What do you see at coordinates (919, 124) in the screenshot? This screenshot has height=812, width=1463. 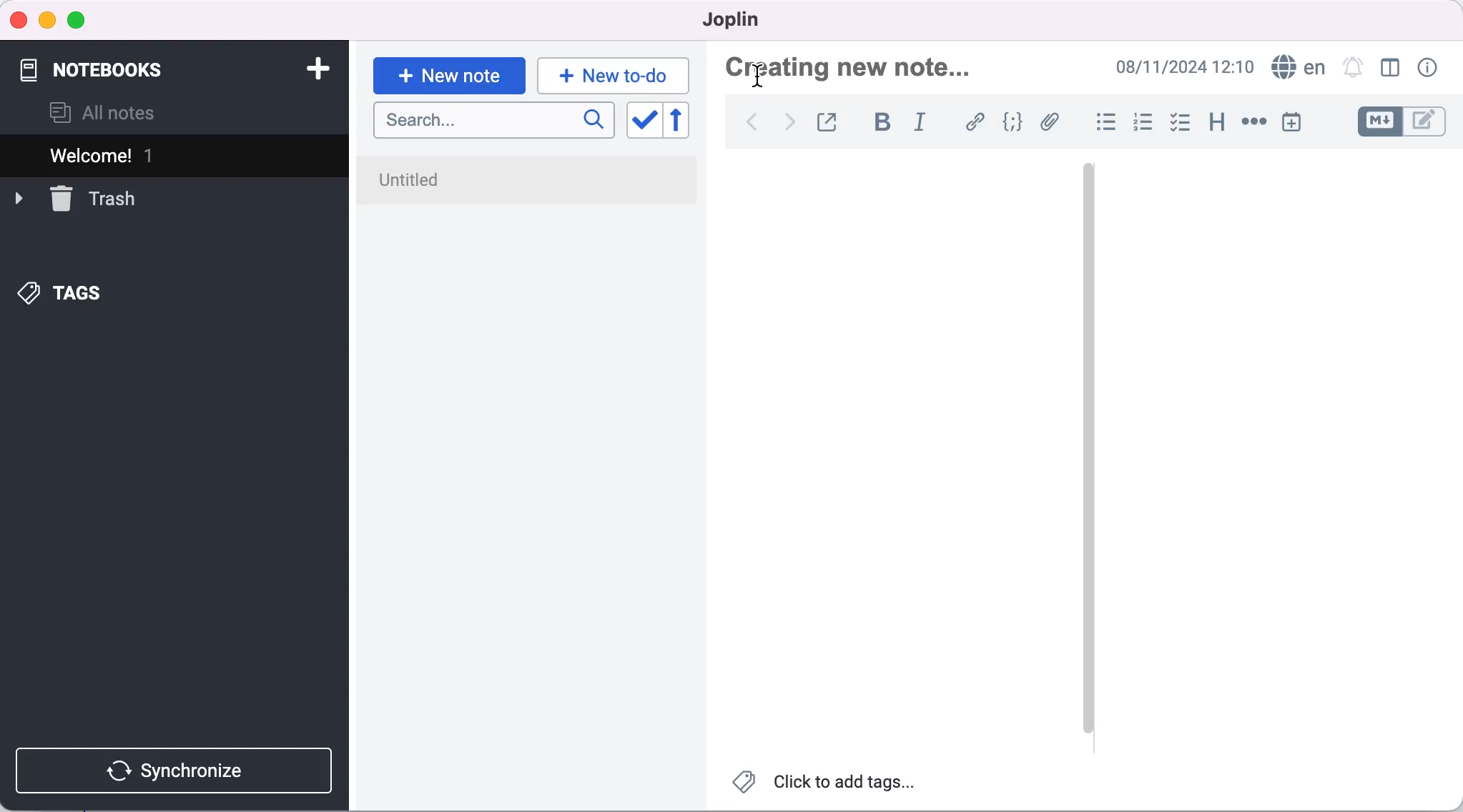 I see `italic` at bounding box center [919, 124].